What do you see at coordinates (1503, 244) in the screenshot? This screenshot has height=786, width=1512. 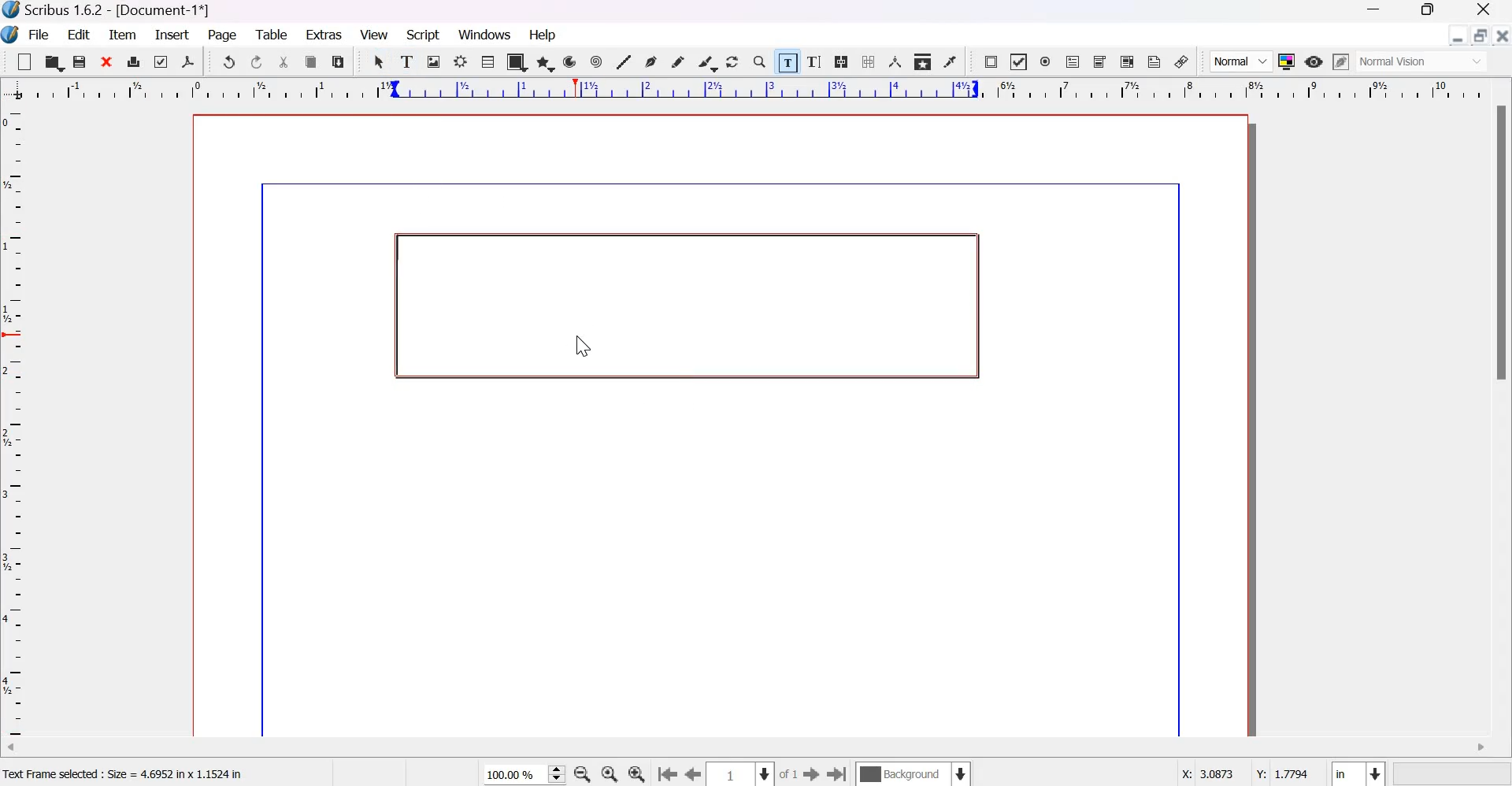 I see `Scrollbar` at bounding box center [1503, 244].